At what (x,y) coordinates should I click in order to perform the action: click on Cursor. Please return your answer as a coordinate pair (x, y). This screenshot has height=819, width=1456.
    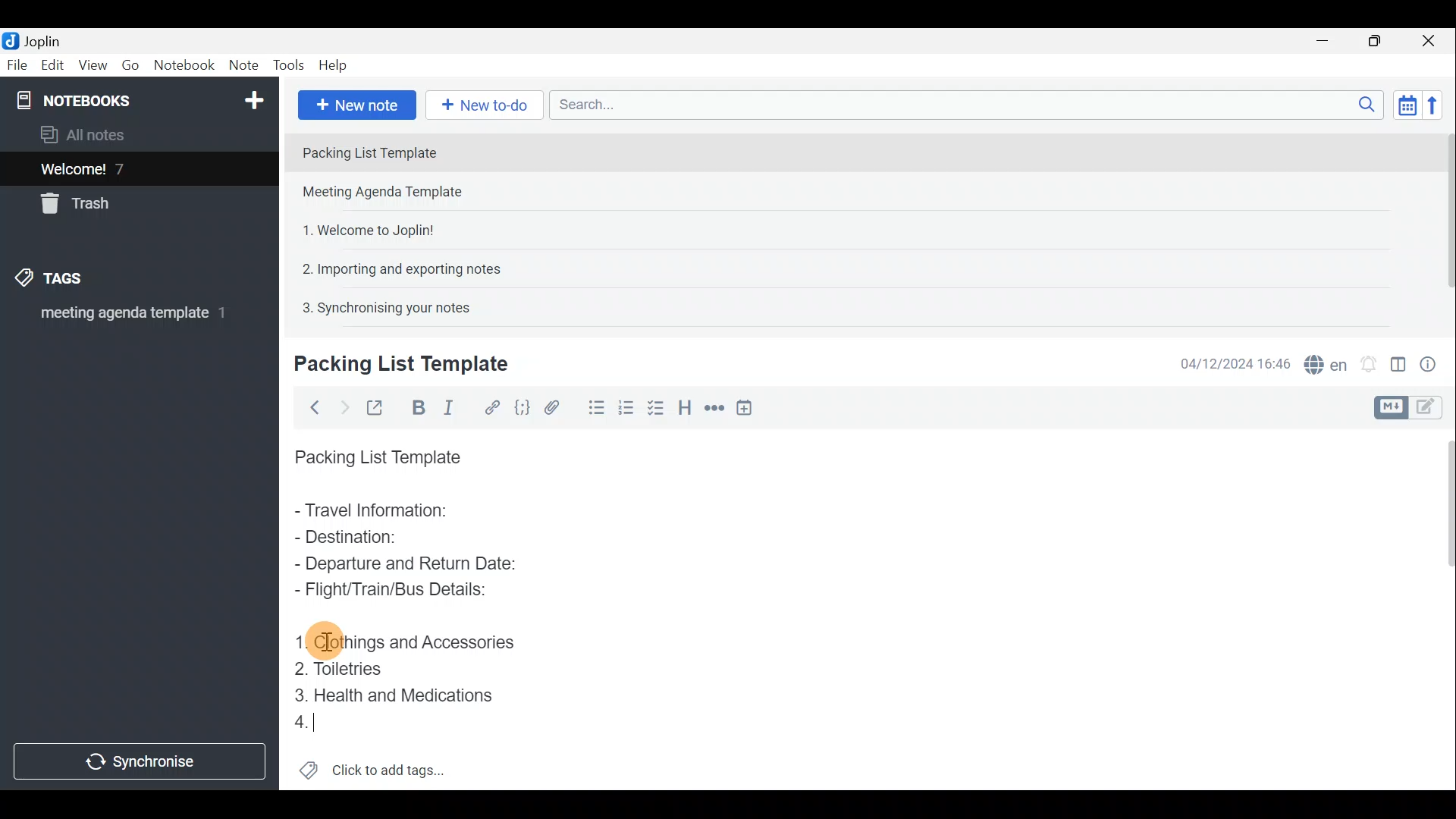
    Looking at the image, I should click on (303, 725).